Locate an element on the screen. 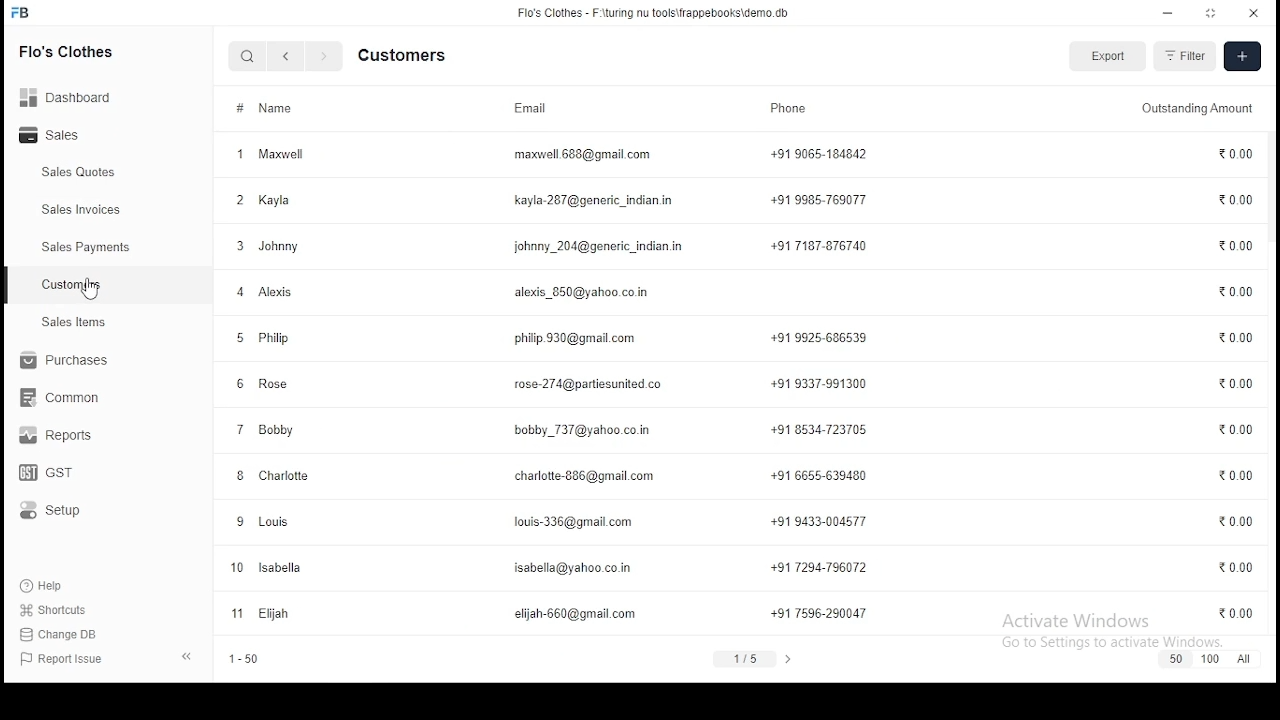  Dashboard is located at coordinates (65, 98).